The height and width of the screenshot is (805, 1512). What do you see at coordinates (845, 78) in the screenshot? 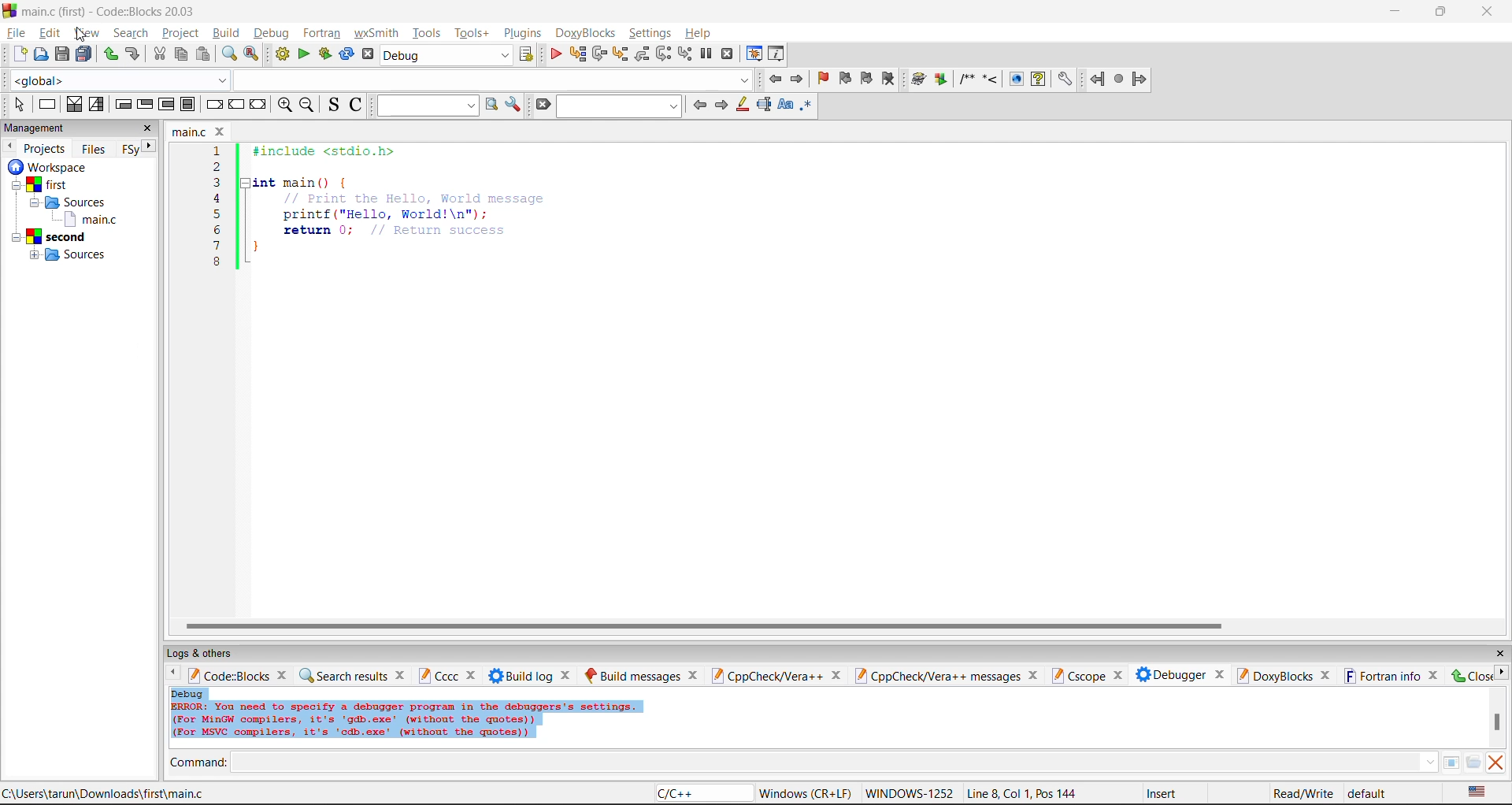
I see `previous bookmark` at bounding box center [845, 78].